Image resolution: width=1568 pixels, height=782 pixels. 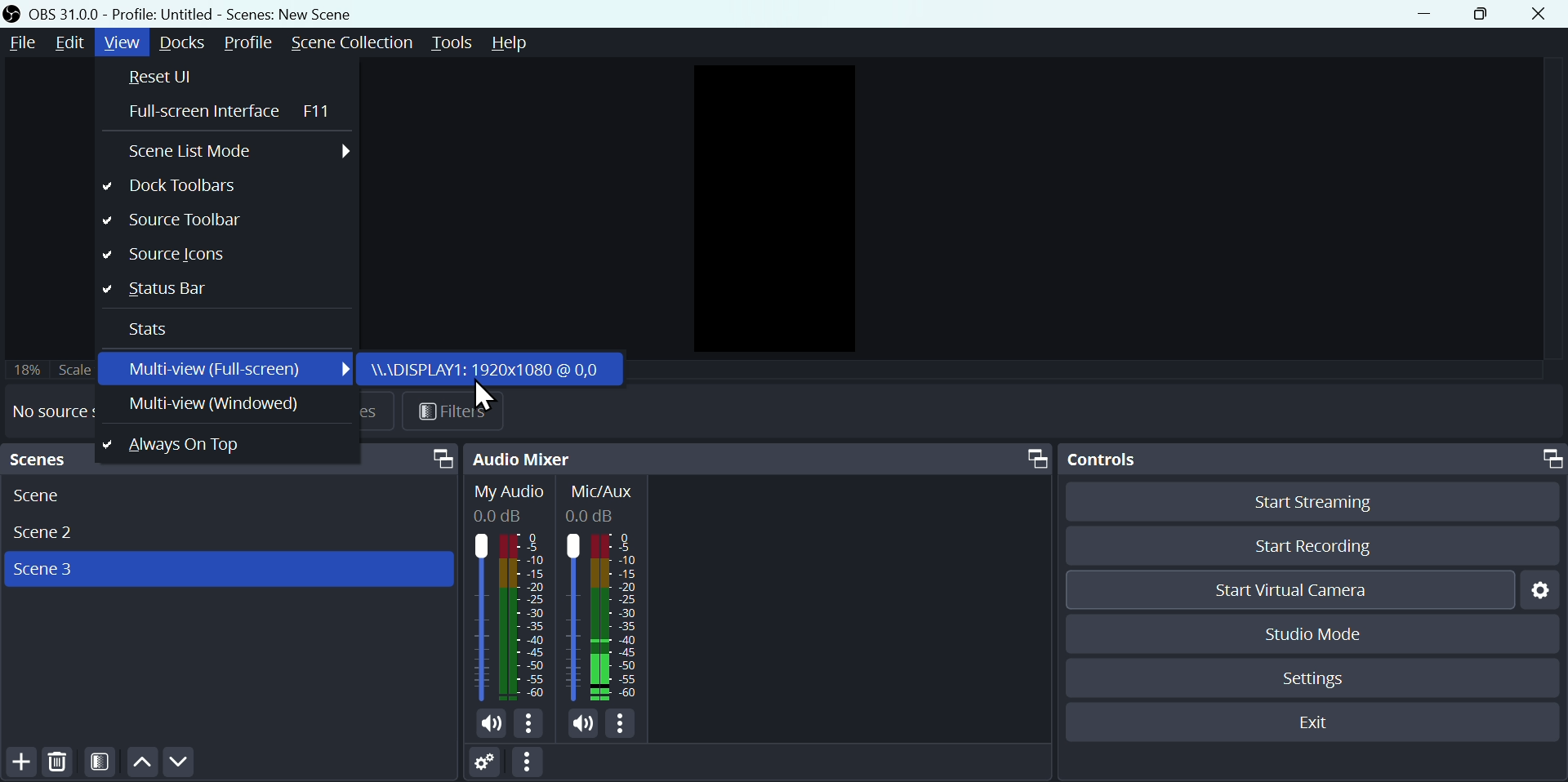 I want to click on Settings, so click(x=1317, y=682).